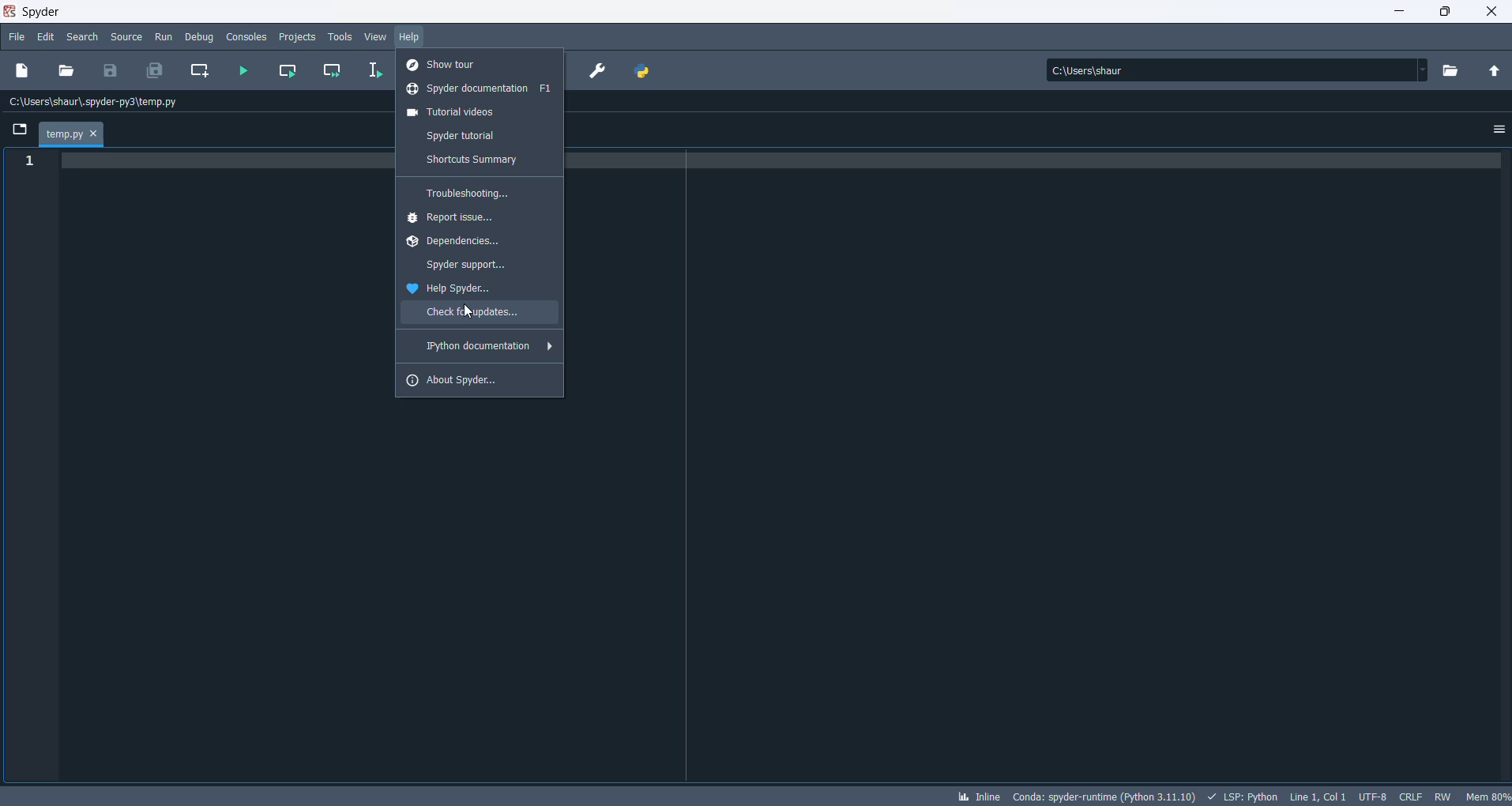 This screenshot has width=1512, height=806. Describe the element at coordinates (1316, 796) in the screenshot. I see `LINE AND COLUMN NUMBER` at that location.